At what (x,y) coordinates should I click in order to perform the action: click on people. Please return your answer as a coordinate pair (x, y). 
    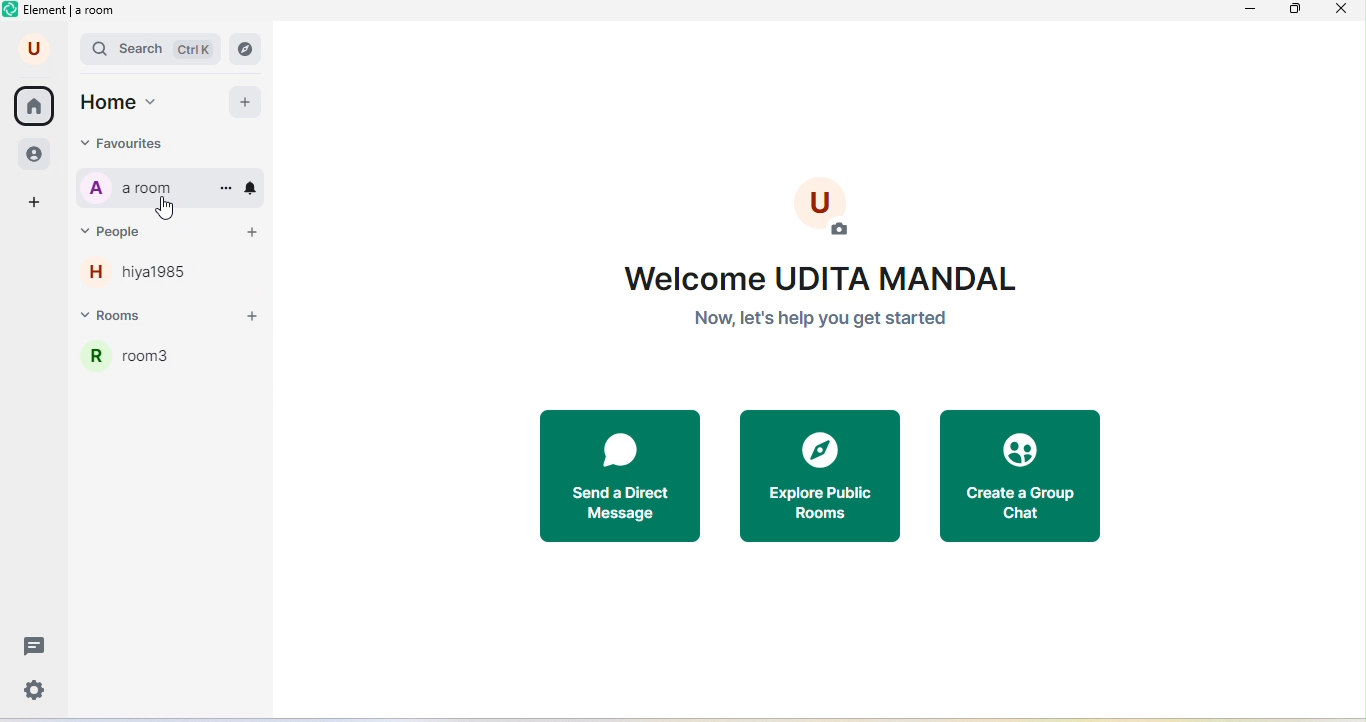
    Looking at the image, I should click on (138, 230).